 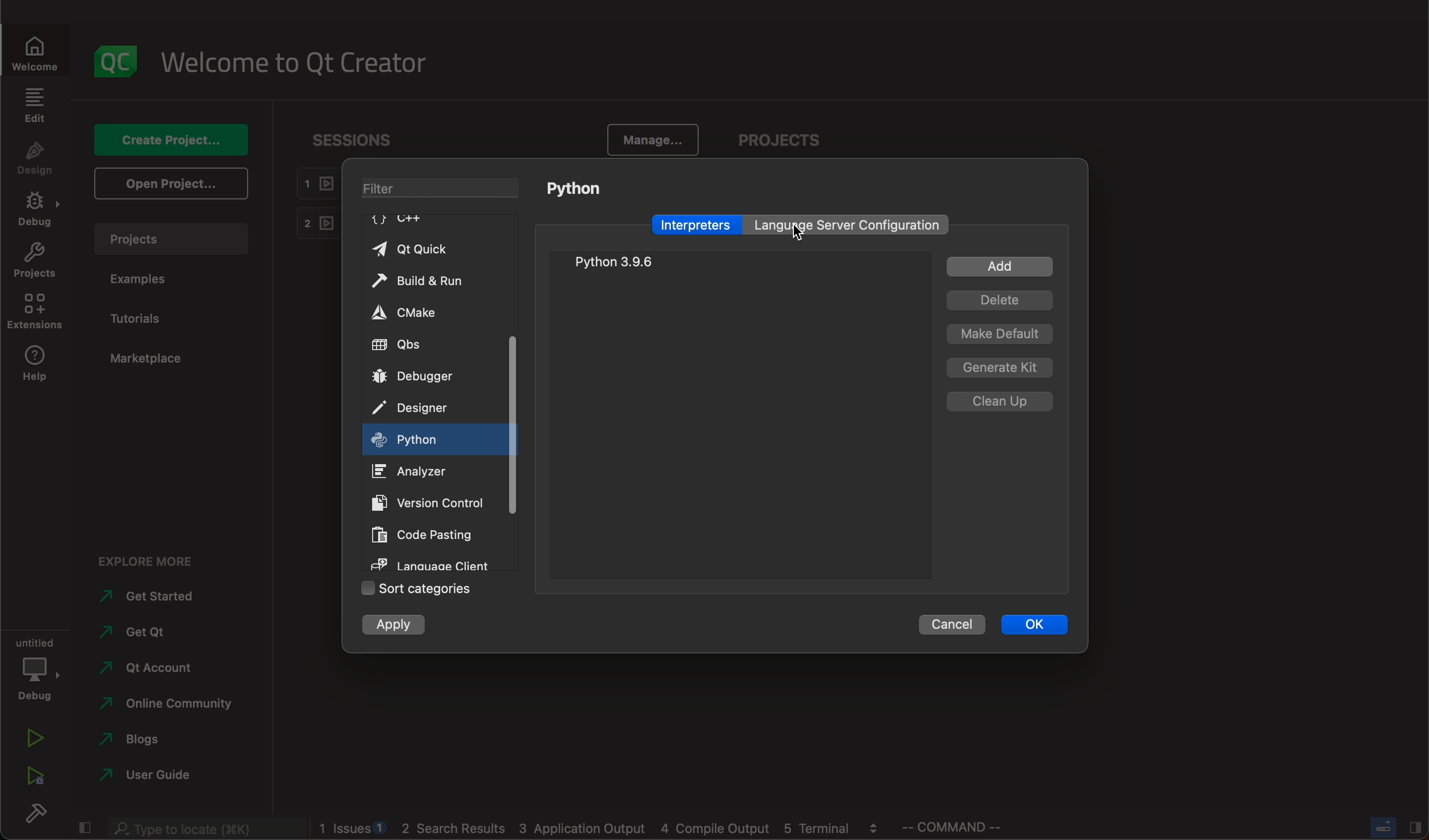 I want to click on sessions, so click(x=363, y=141).